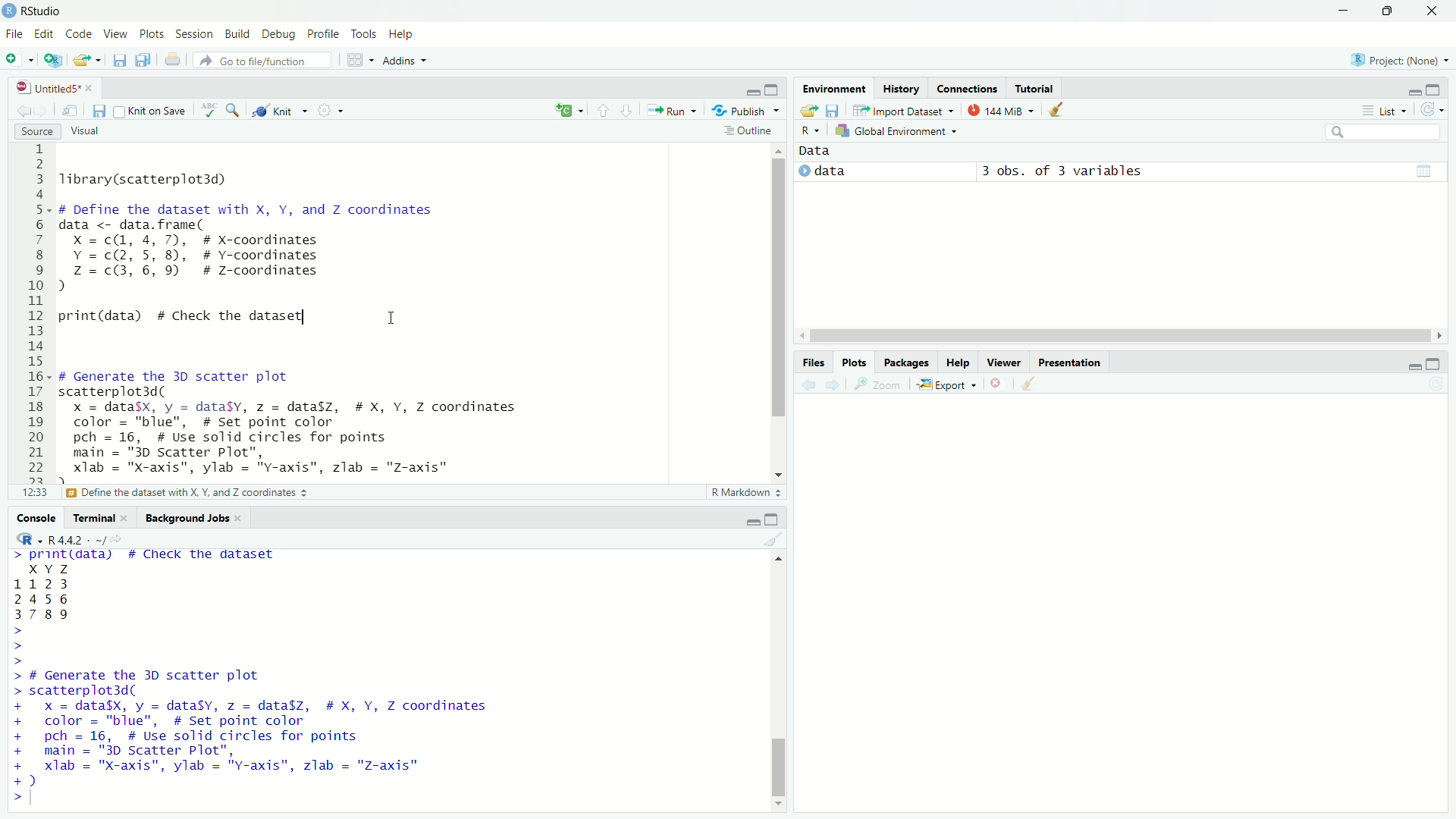 Image resolution: width=1456 pixels, height=819 pixels. I want to click on edit, so click(43, 35).